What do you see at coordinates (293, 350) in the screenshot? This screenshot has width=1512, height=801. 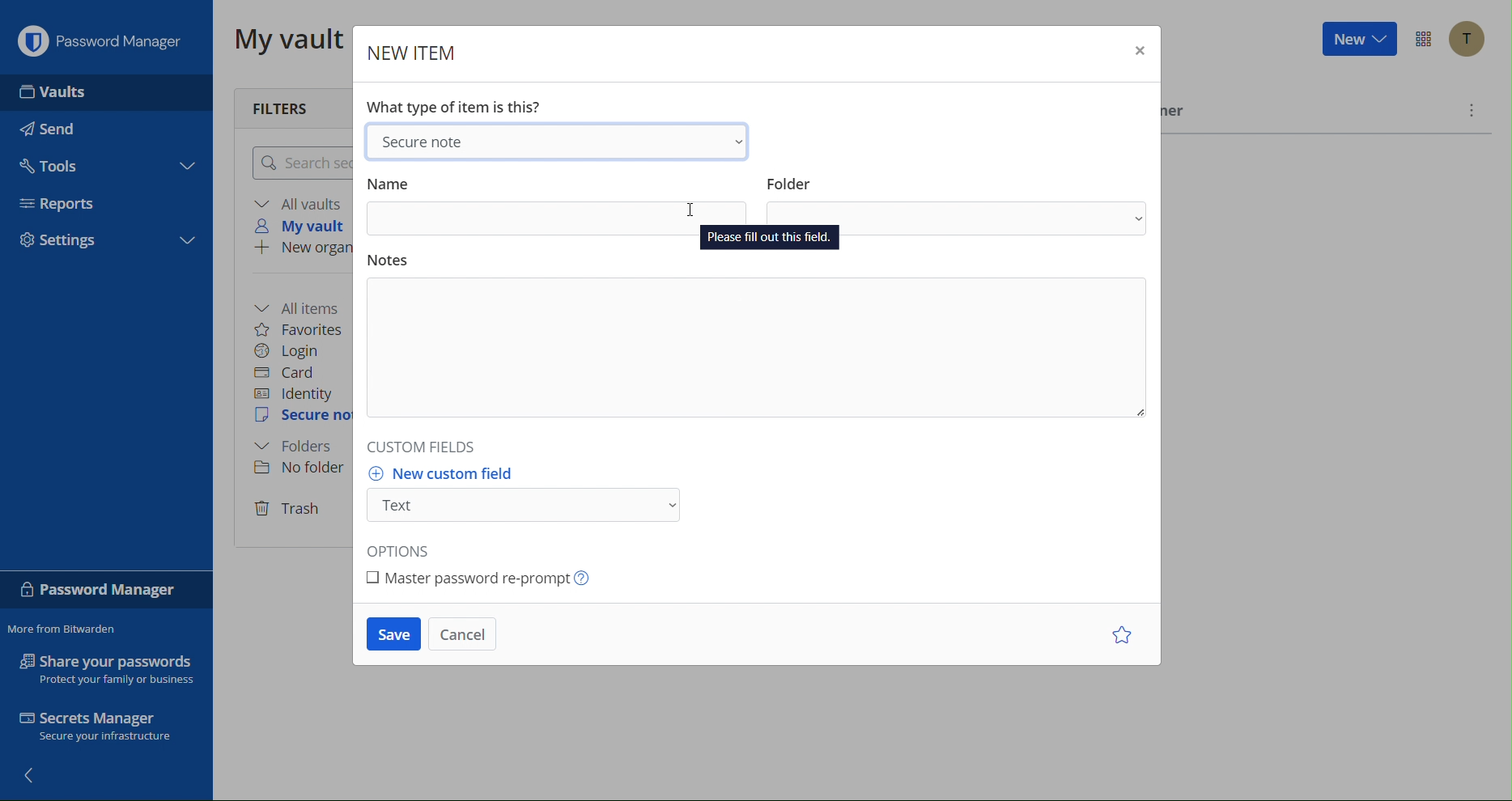 I see `Login` at bounding box center [293, 350].